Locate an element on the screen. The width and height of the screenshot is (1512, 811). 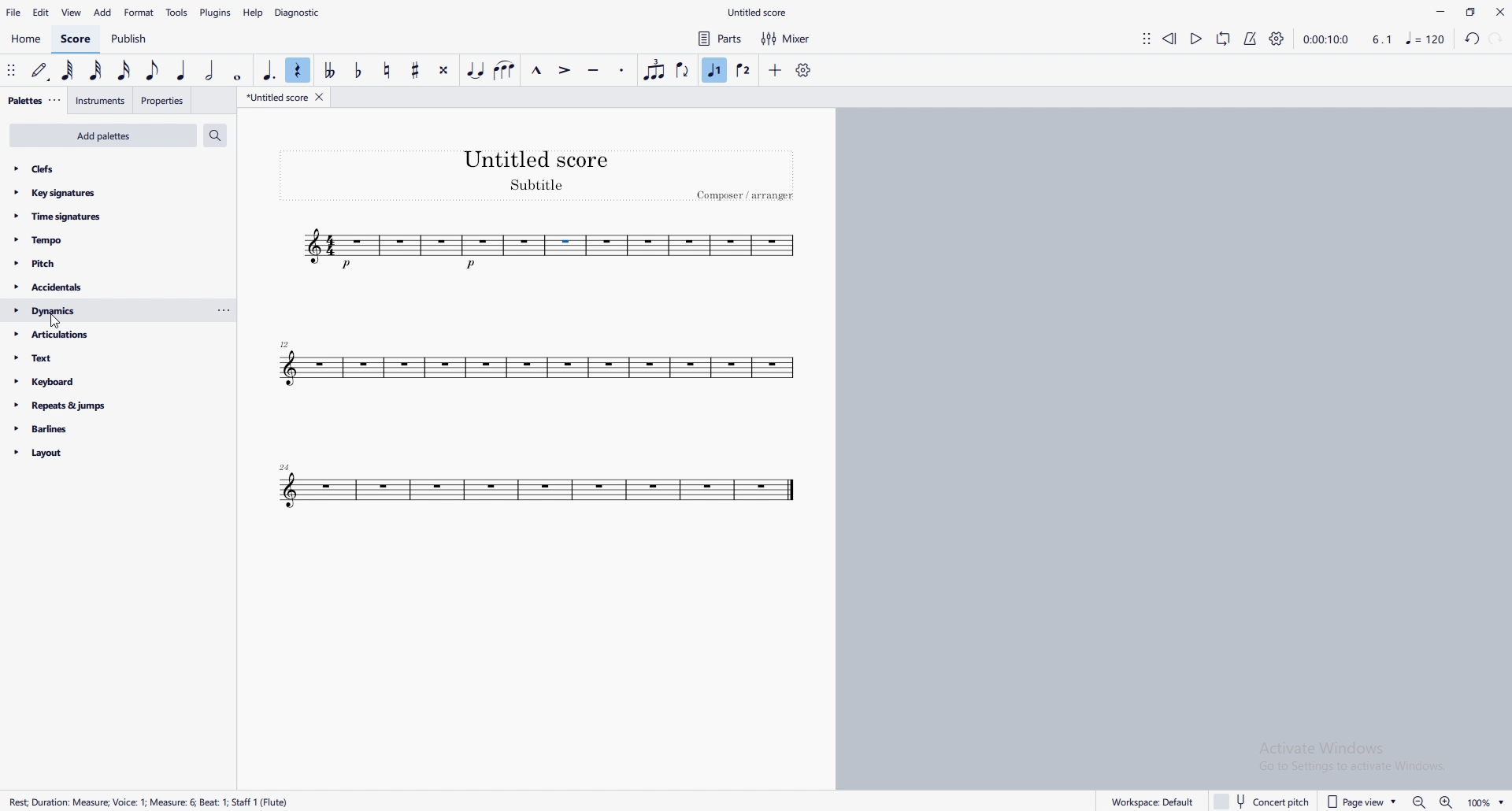
file name is located at coordinates (758, 12).